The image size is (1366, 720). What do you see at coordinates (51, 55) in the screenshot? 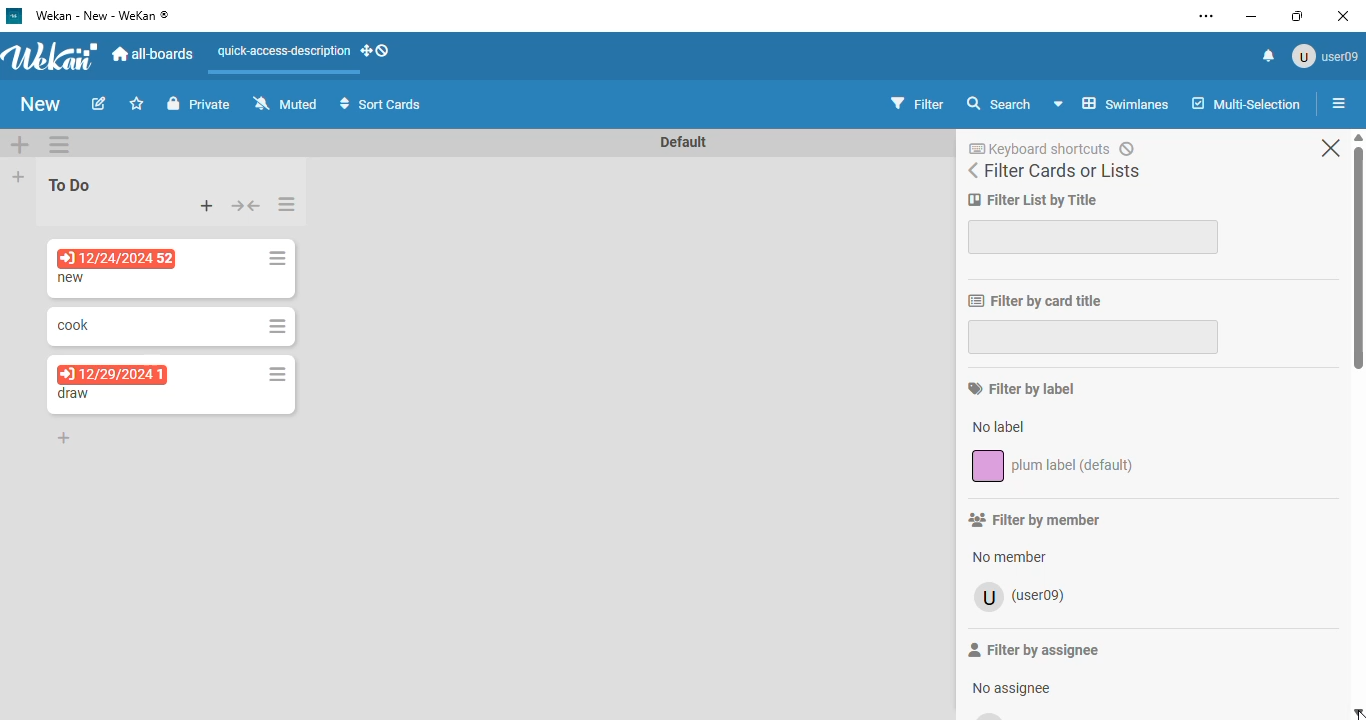
I see `wekan` at bounding box center [51, 55].